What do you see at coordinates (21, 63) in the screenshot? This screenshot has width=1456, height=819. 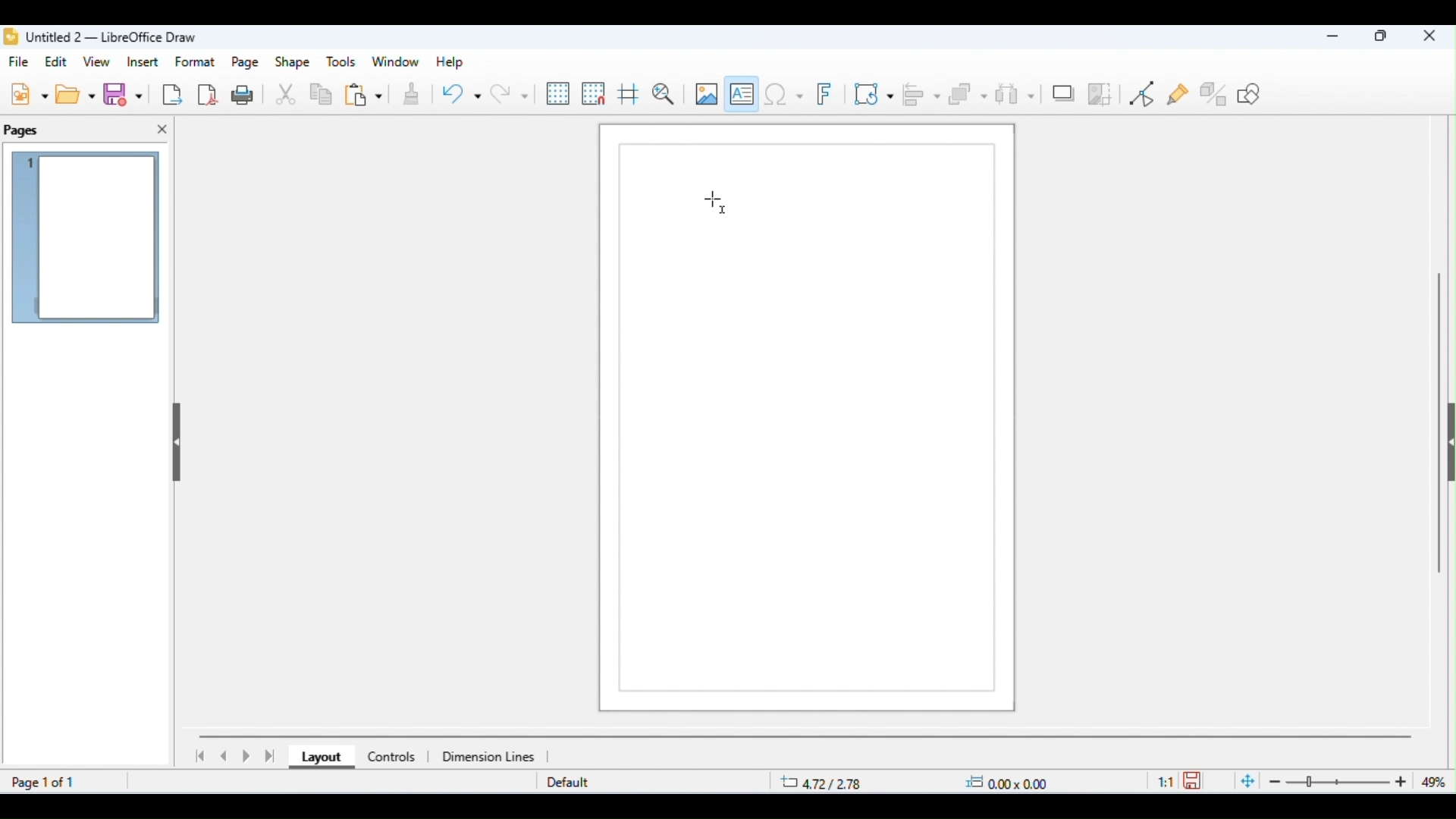 I see `file` at bounding box center [21, 63].